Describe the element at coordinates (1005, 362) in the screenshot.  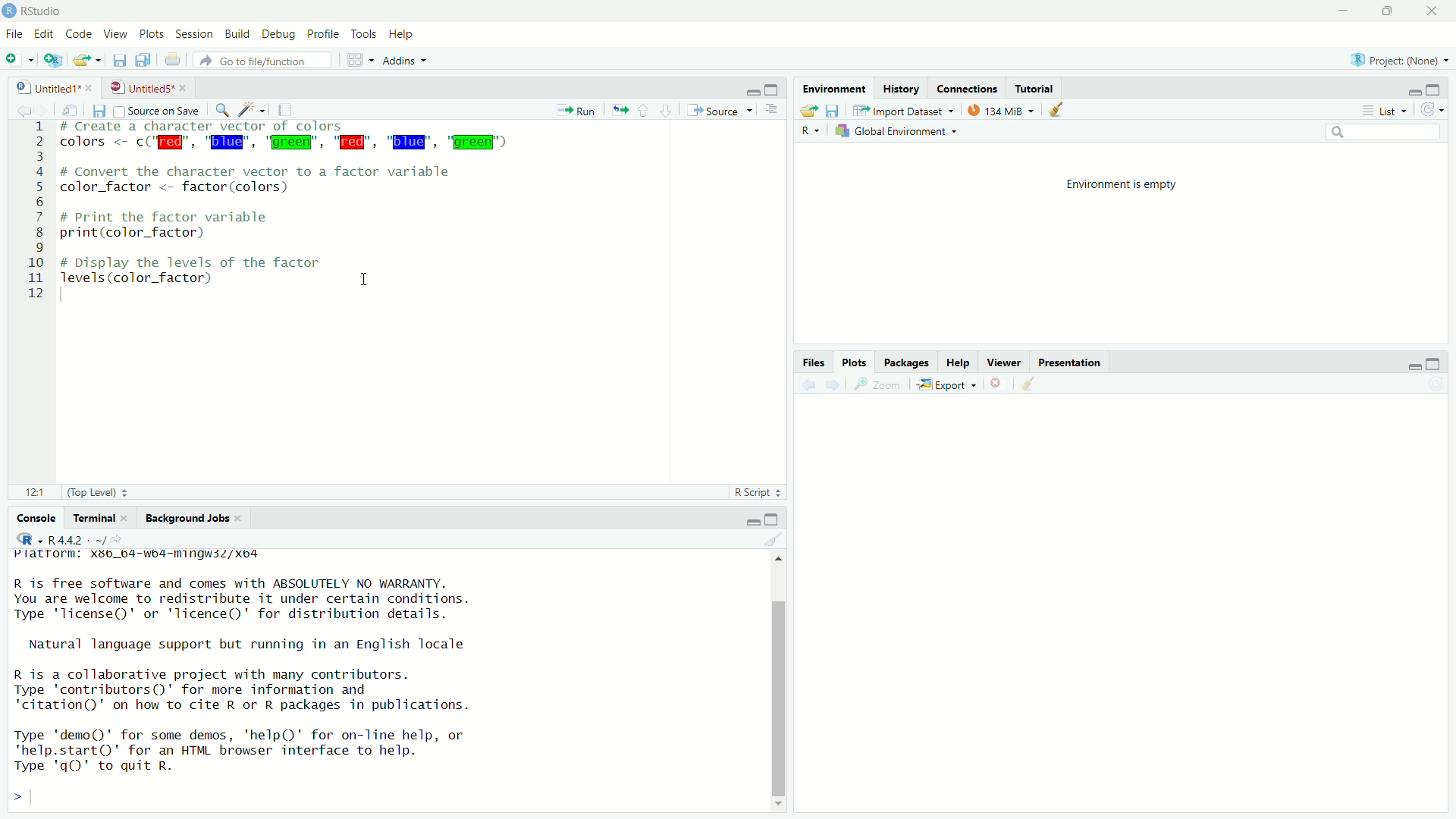
I see `Viewer` at that location.